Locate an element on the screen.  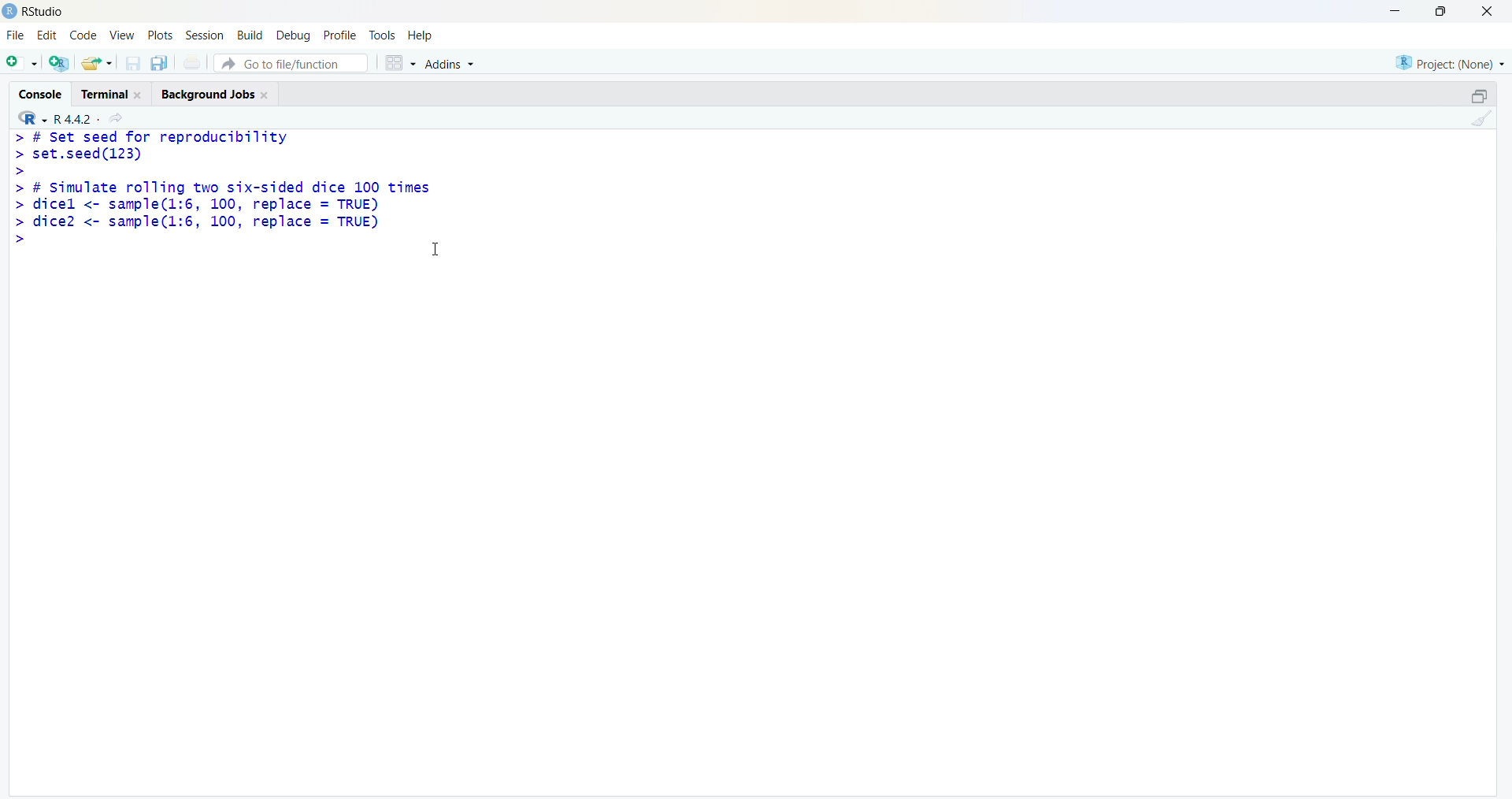
Background jobs is located at coordinates (207, 96).